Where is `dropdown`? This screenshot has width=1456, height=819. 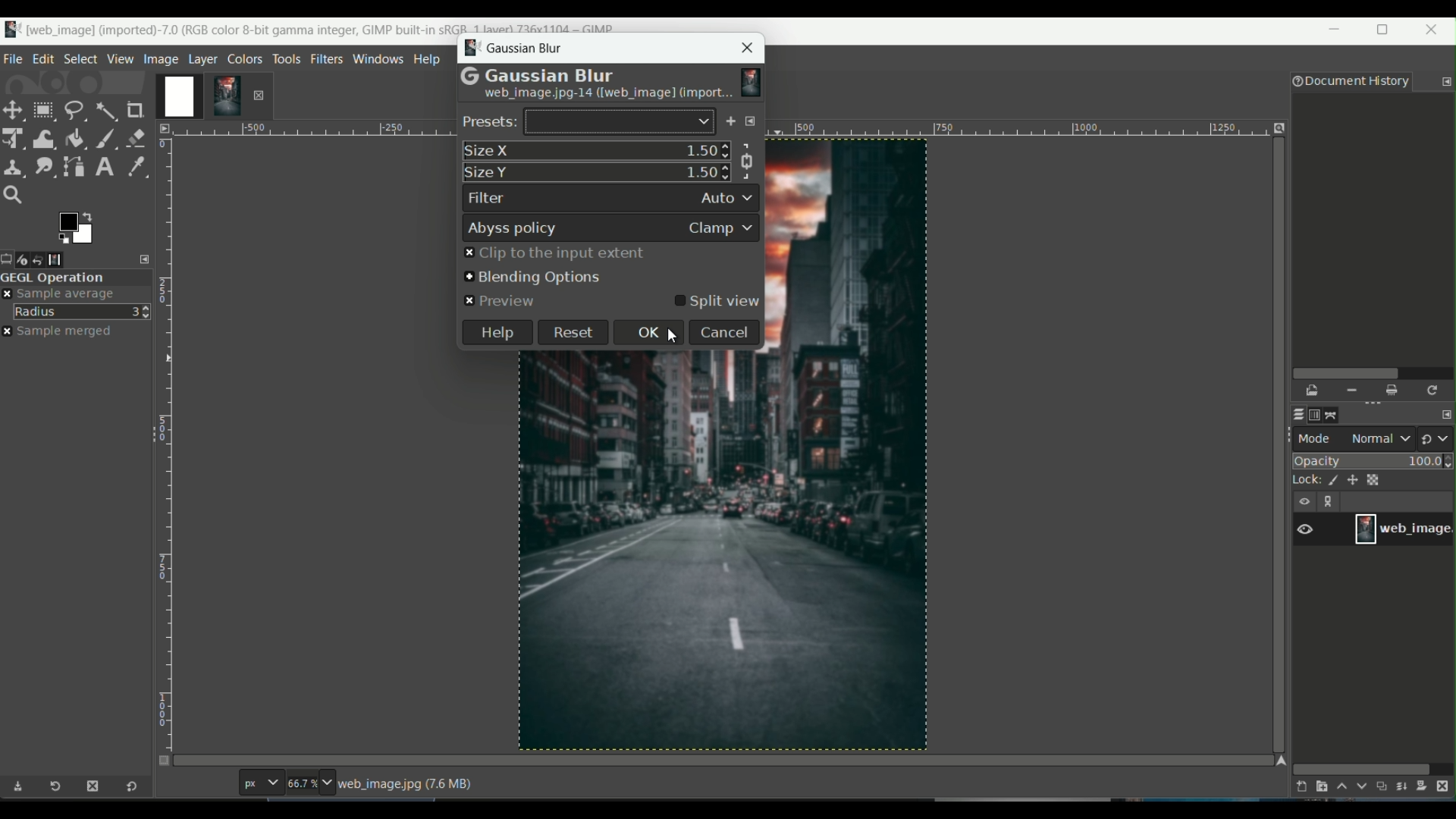 dropdown is located at coordinates (703, 122).